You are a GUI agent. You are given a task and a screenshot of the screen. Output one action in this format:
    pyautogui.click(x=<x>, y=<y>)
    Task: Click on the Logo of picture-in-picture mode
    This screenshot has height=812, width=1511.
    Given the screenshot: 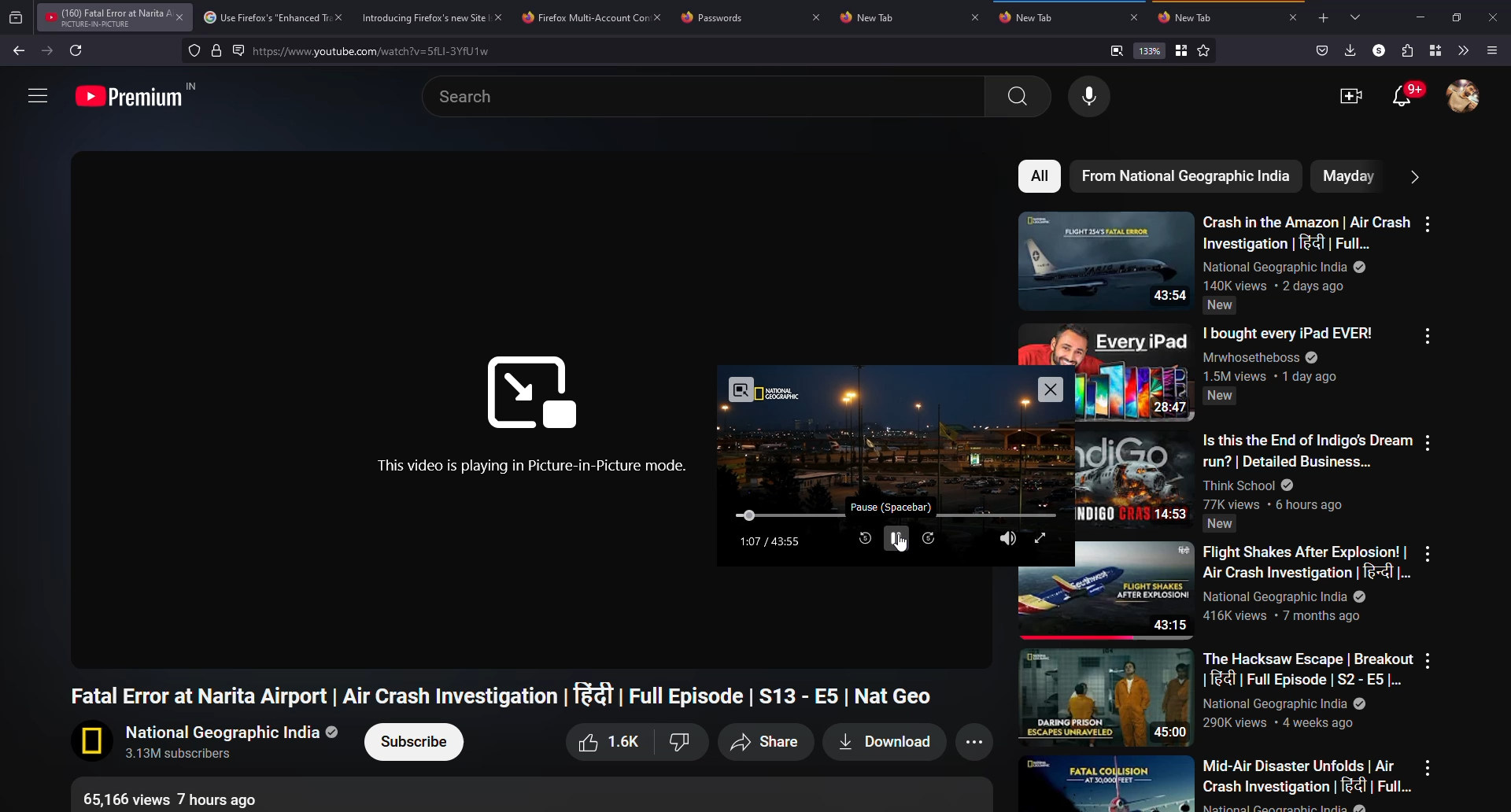 What is the action you would take?
    pyautogui.click(x=531, y=393)
    